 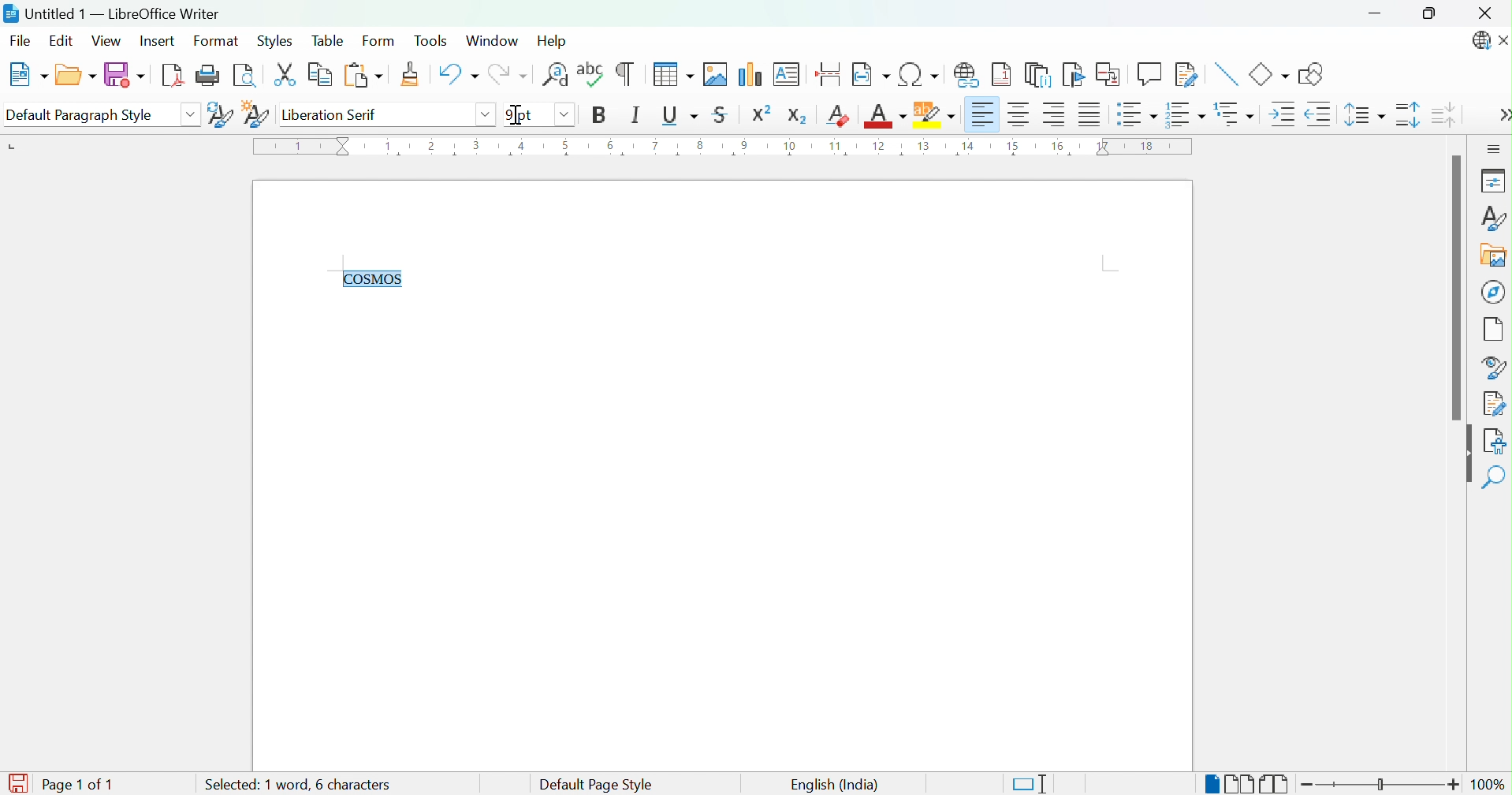 I want to click on Ibeam Cursor, so click(x=517, y=114).